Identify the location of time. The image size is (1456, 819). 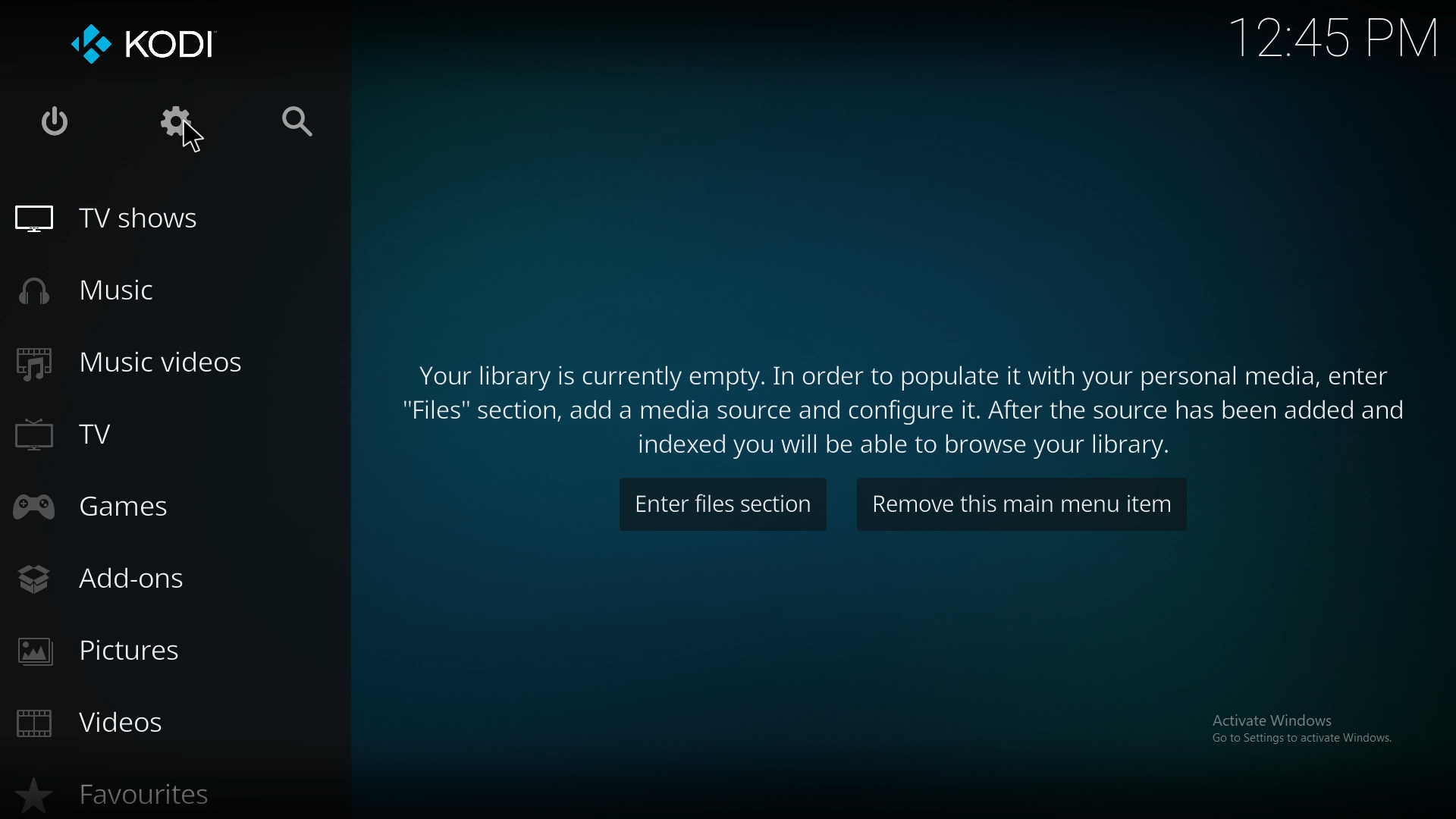
(1336, 34).